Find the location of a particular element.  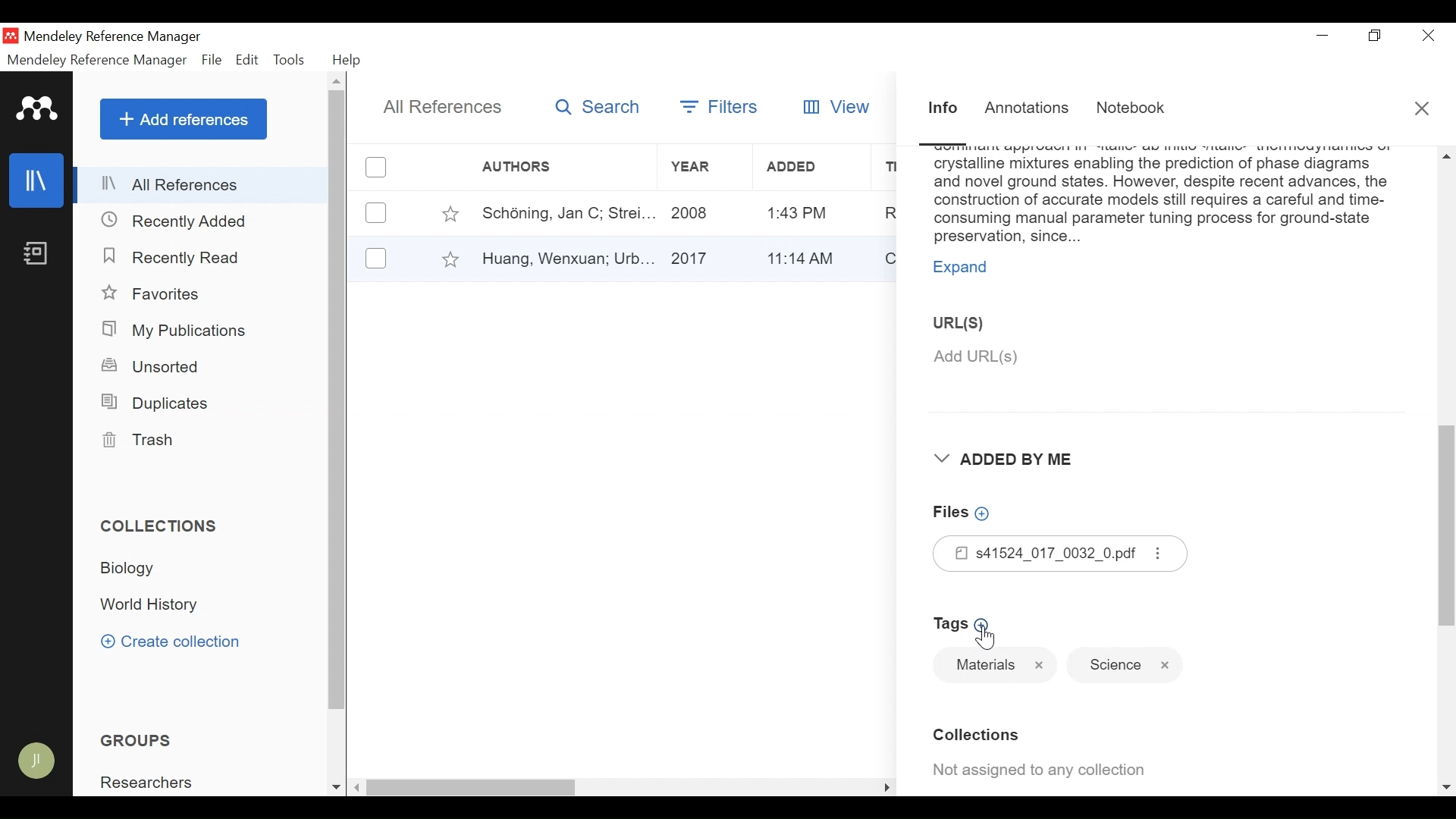

Group is located at coordinates (152, 783).